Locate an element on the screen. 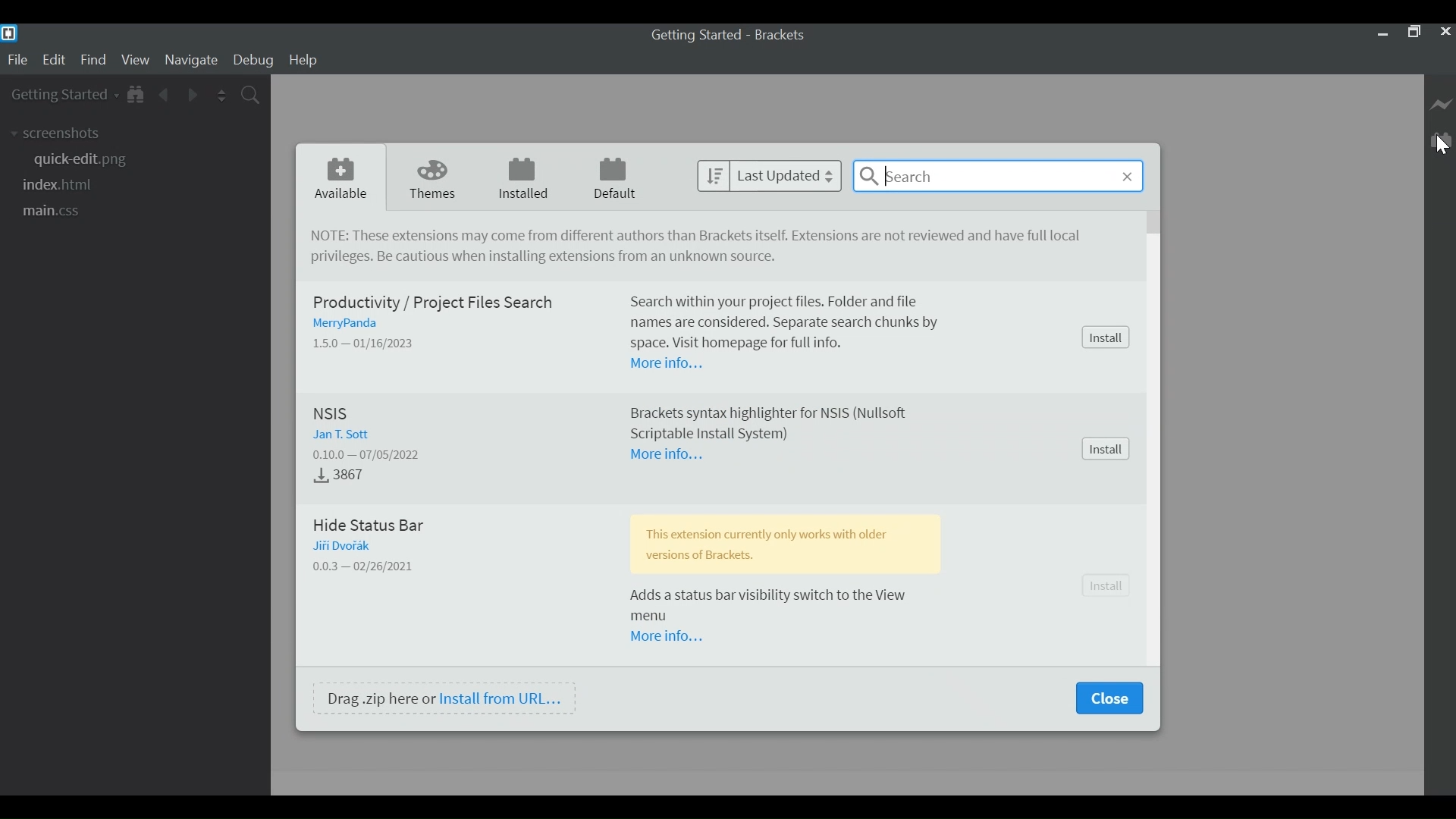 The height and width of the screenshot is (819, 1456). Live Preview is located at coordinates (1441, 106).